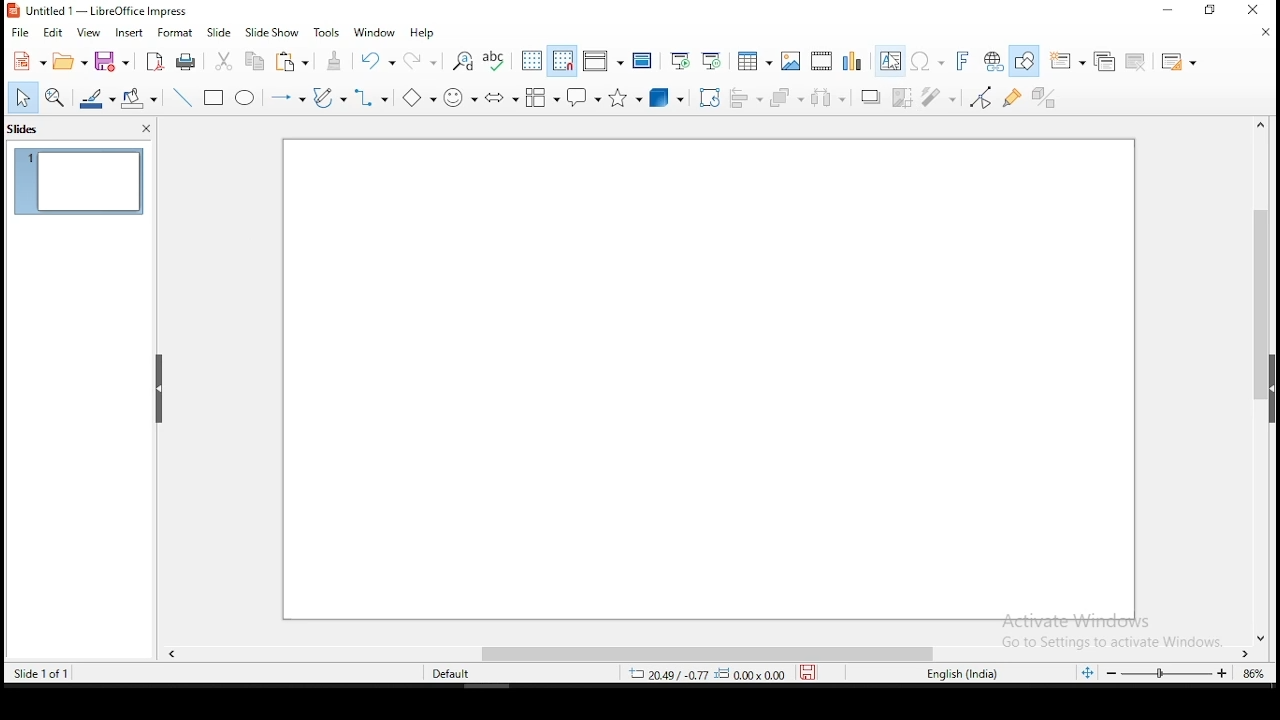  Describe the element at coordinates (248, 98) in the screenshot. I see `ellipse` at that location.